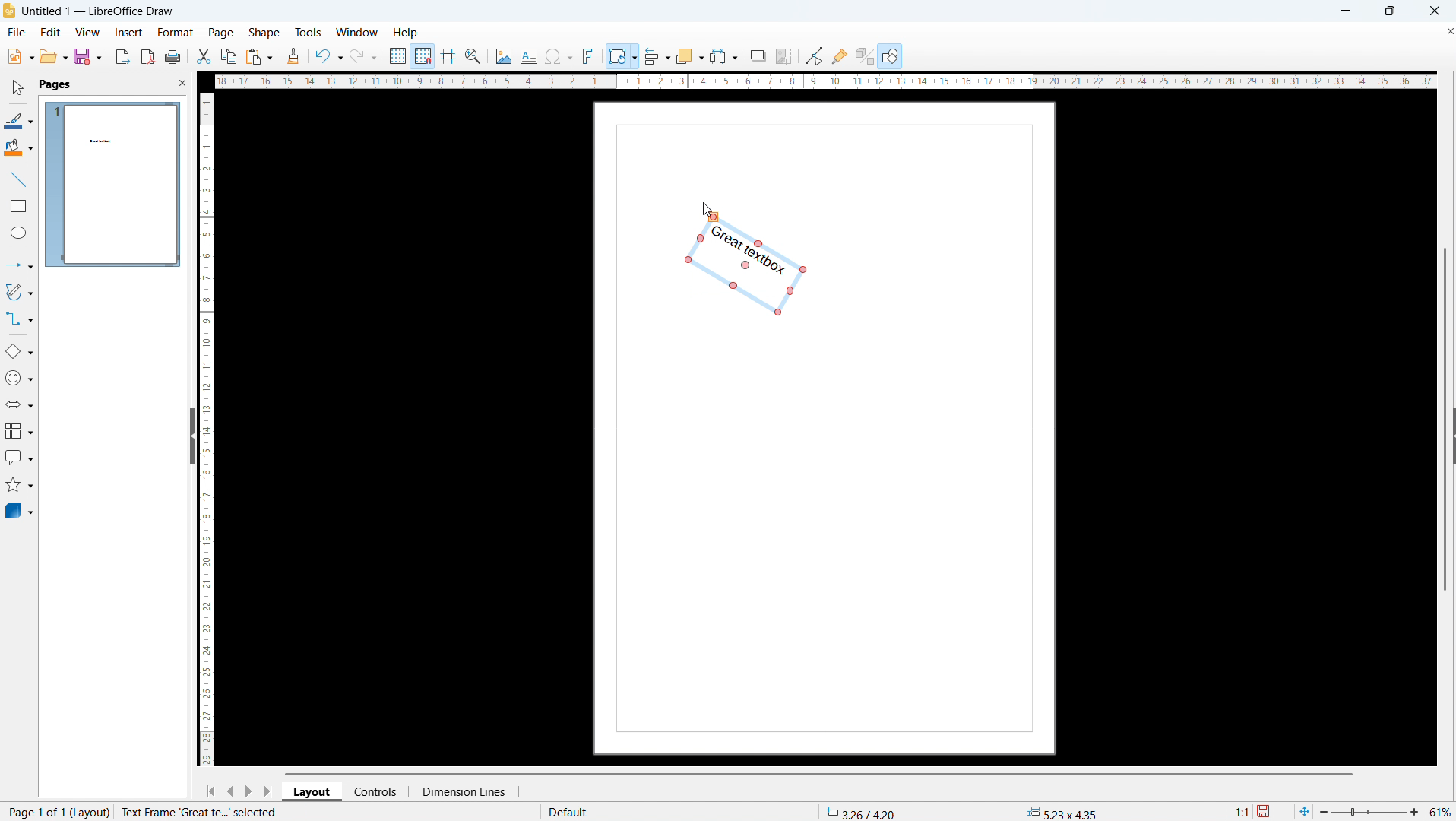 The image size is (1456, 821). I want to click on shape, so click(264, 33).